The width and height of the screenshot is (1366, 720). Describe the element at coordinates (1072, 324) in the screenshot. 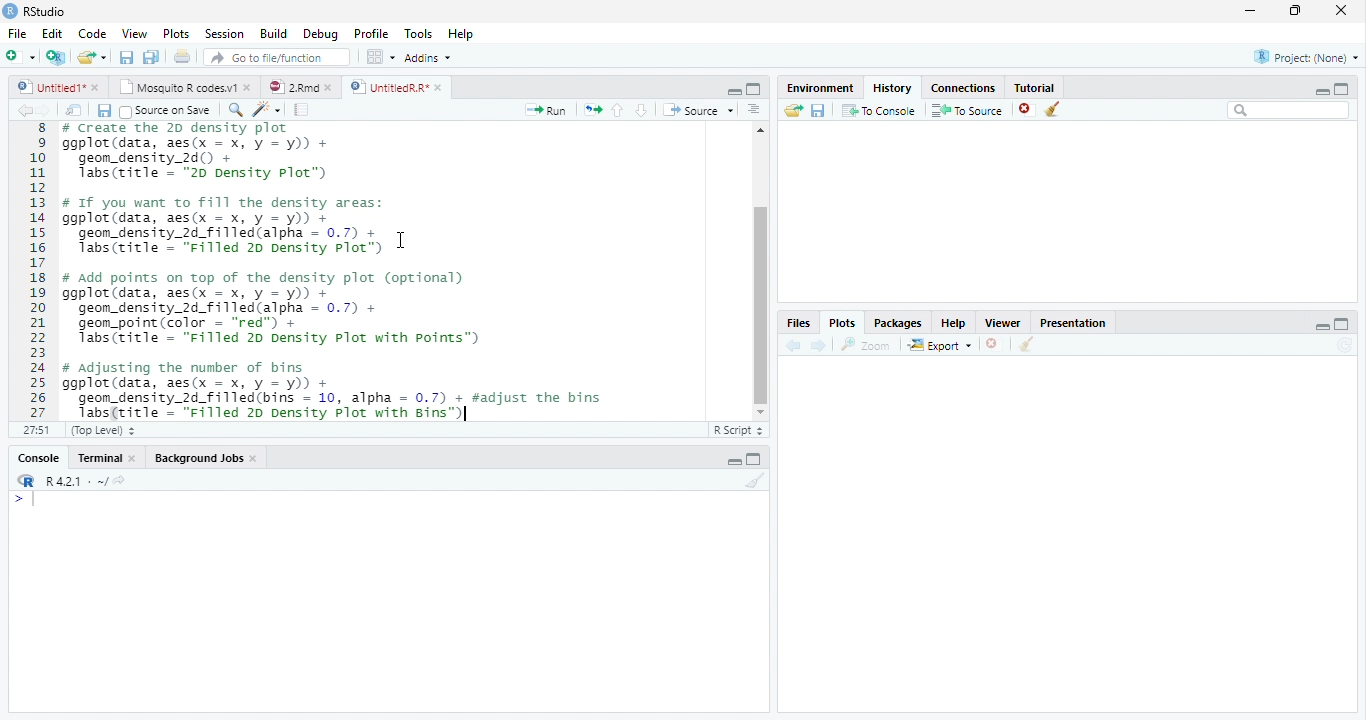

I see `Presentatior` at that location.